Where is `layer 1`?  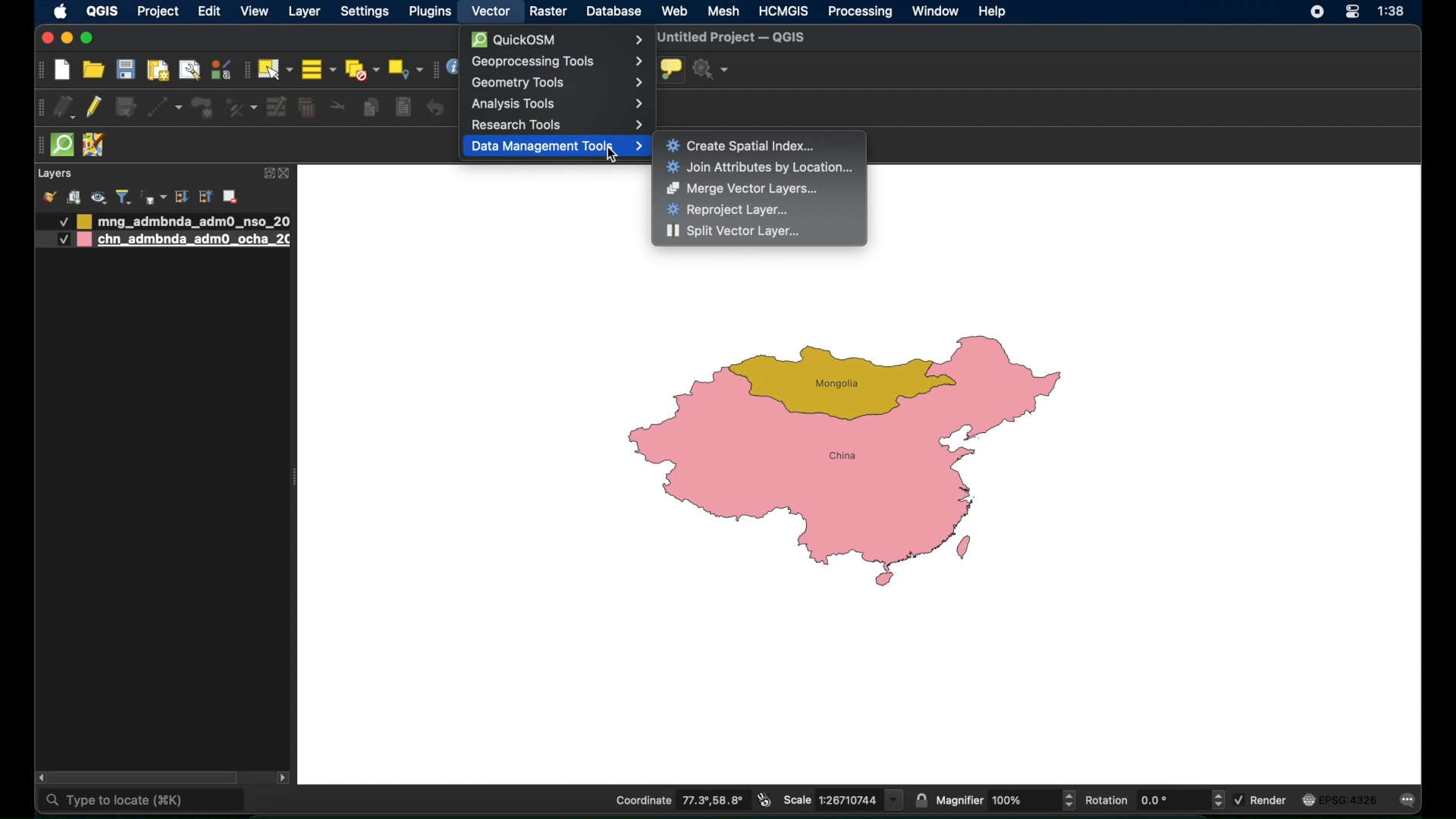
layer 1 is located at coordinates (186, 221).